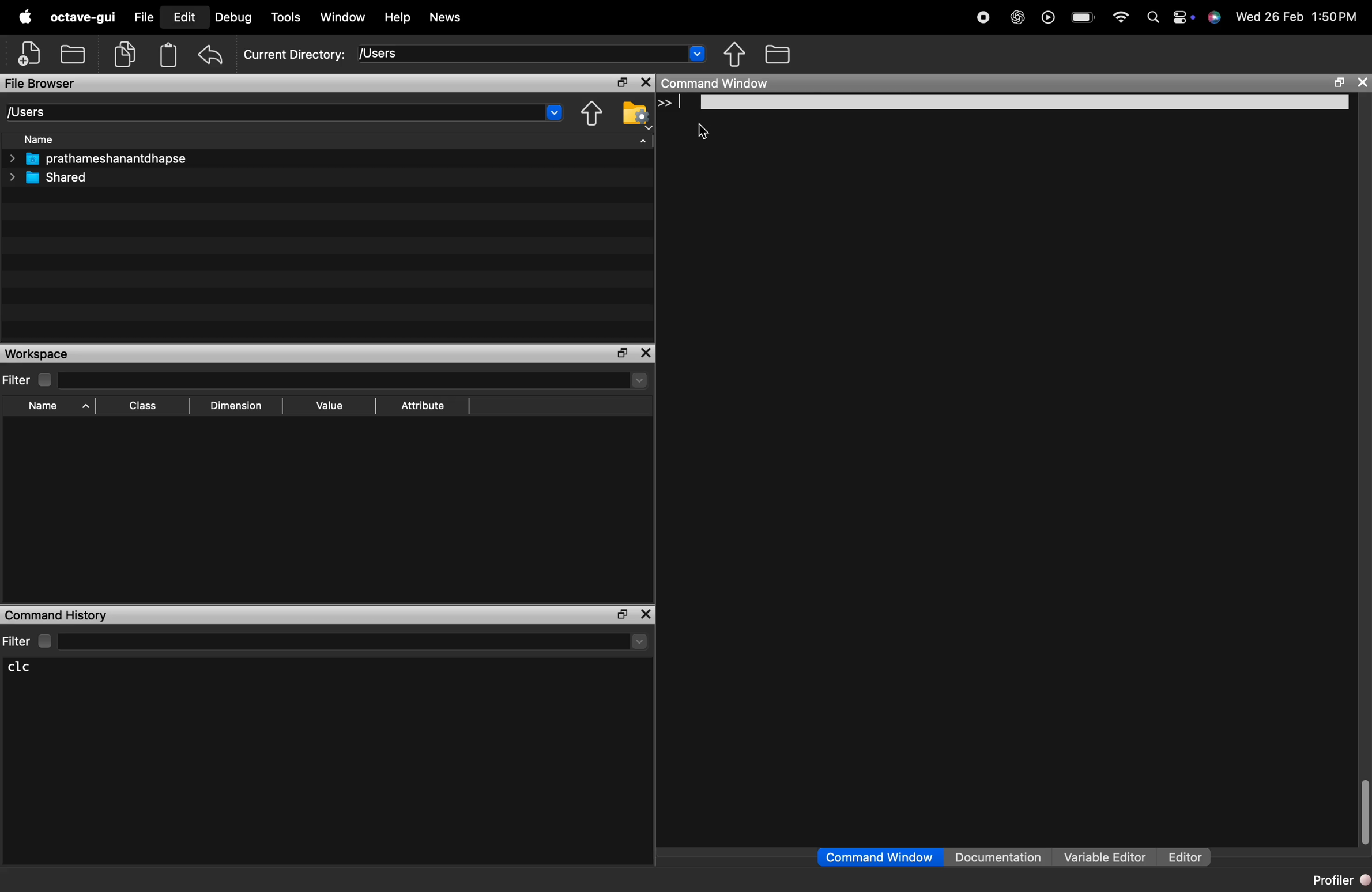 This screenshot has width=1372, height=892. What do you see at coordinates (446, 19) in the screenshot?
I see `News` at bounding box center [446, 19].